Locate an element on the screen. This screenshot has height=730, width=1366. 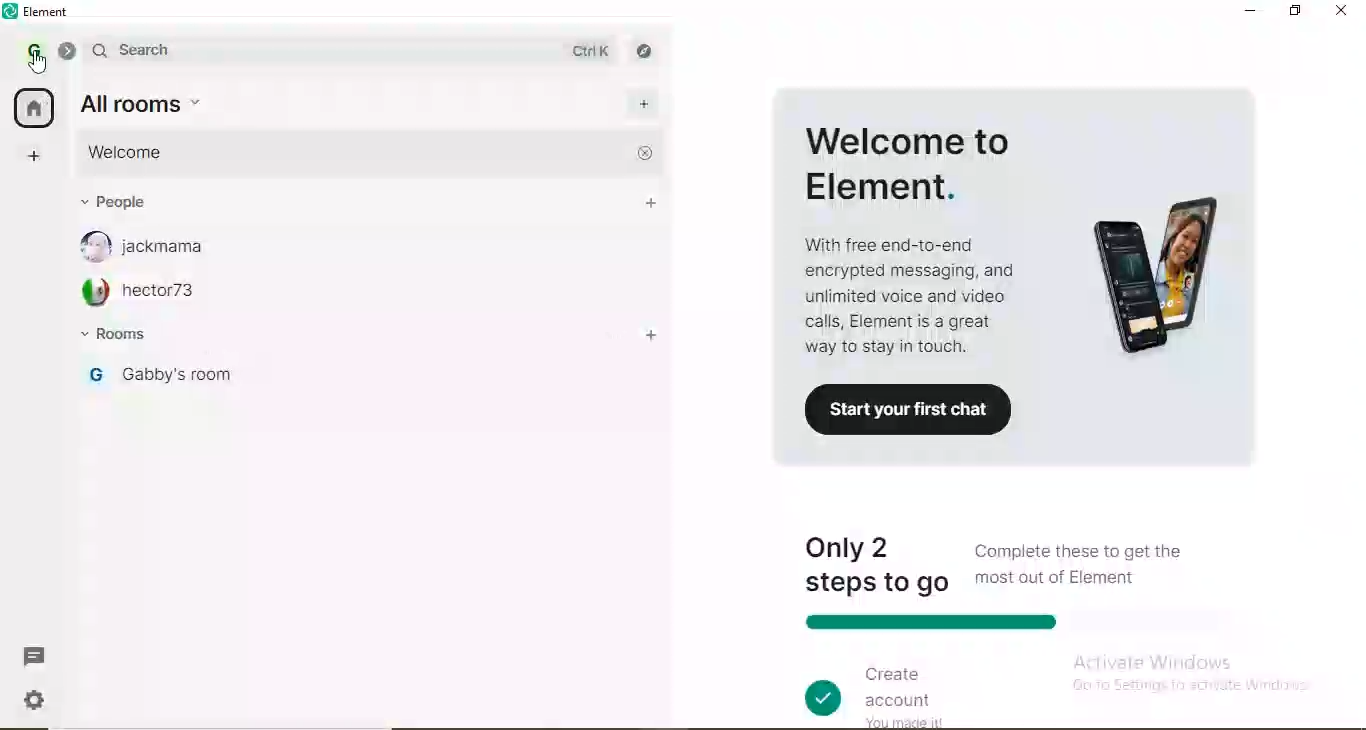
jackmama is located at coordinates (169, 250).